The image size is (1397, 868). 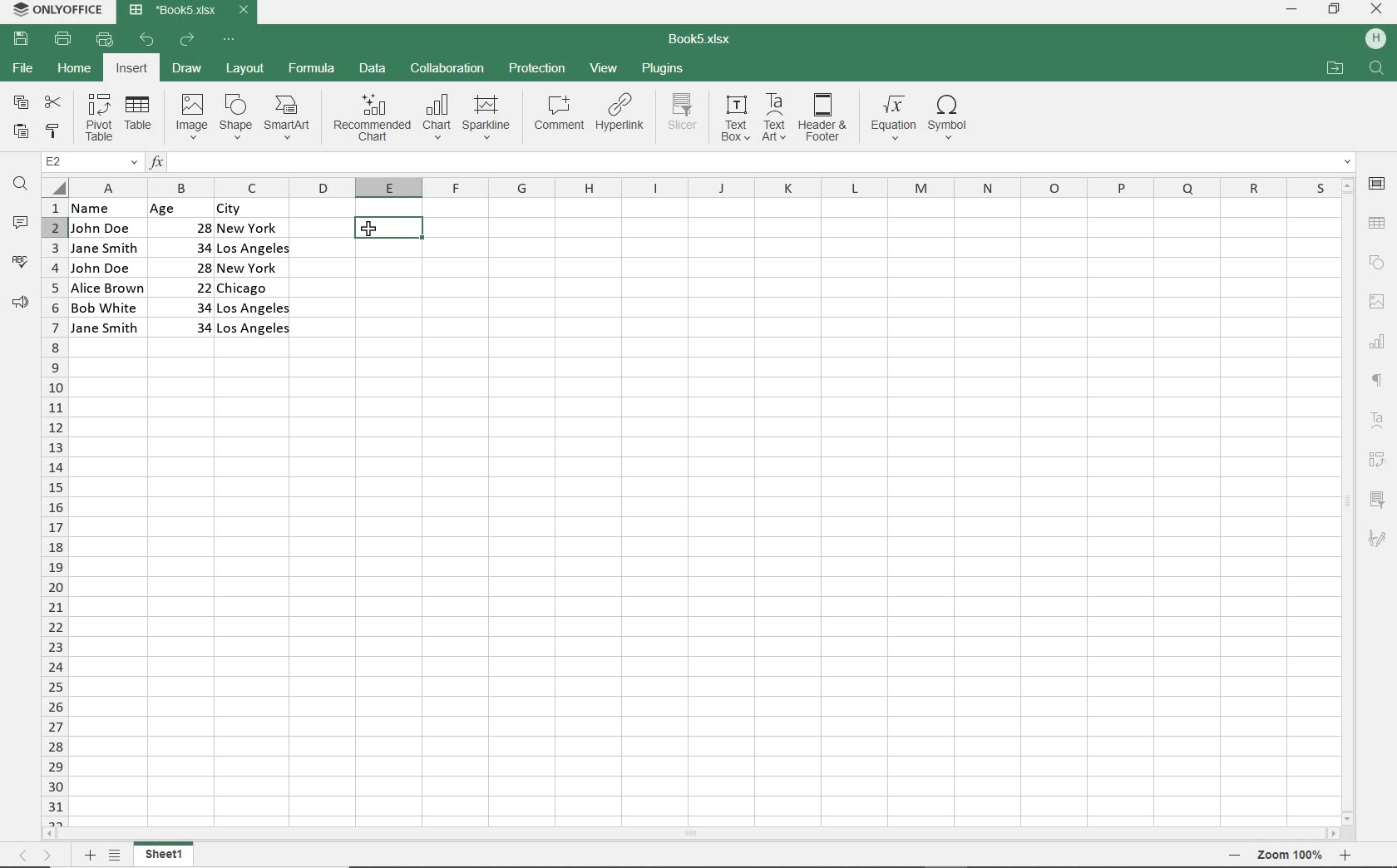 I want to click on John Doe, so click(x=103, y=268).